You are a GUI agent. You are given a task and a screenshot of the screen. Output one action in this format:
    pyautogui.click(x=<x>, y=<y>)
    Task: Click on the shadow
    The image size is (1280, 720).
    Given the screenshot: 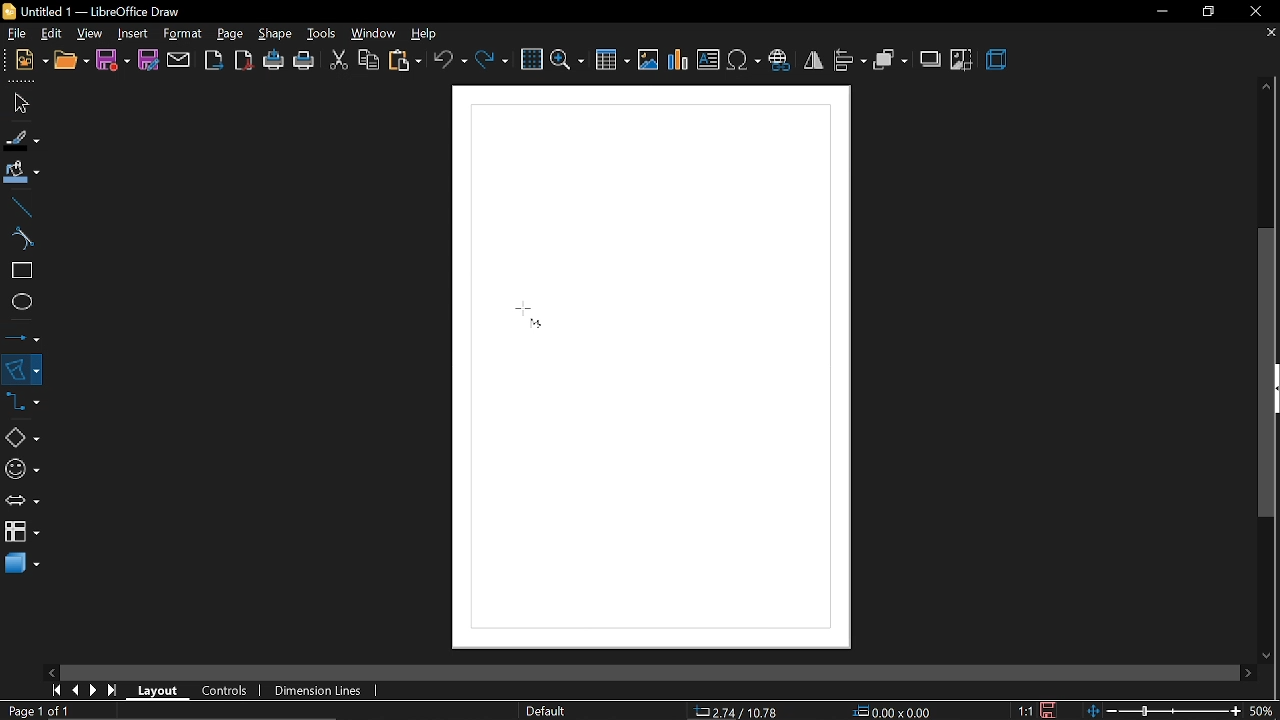 What is the action you would take?
    pyautogui.click(x=932, y=58)
    